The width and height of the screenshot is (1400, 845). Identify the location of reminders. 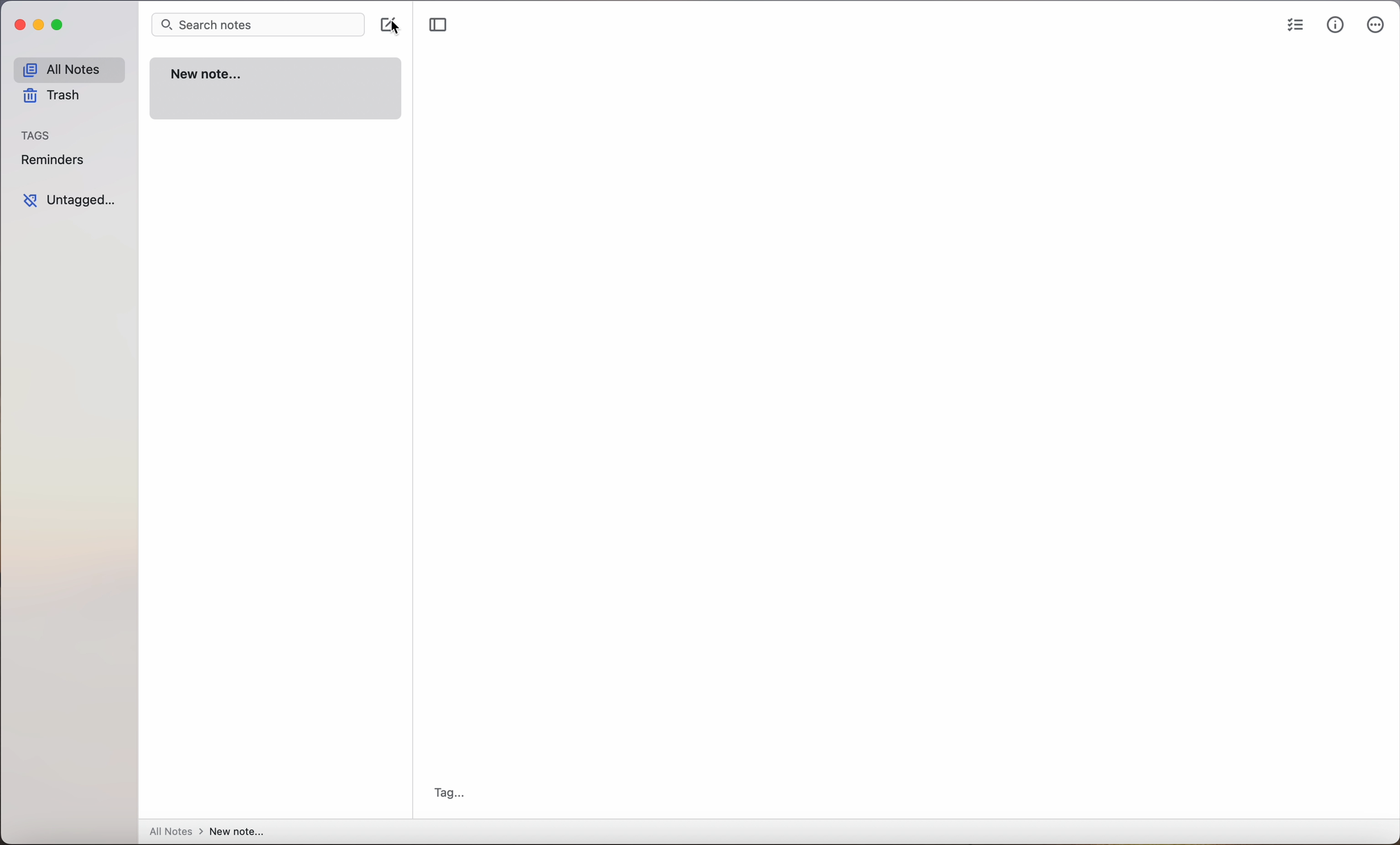
(52, 162).